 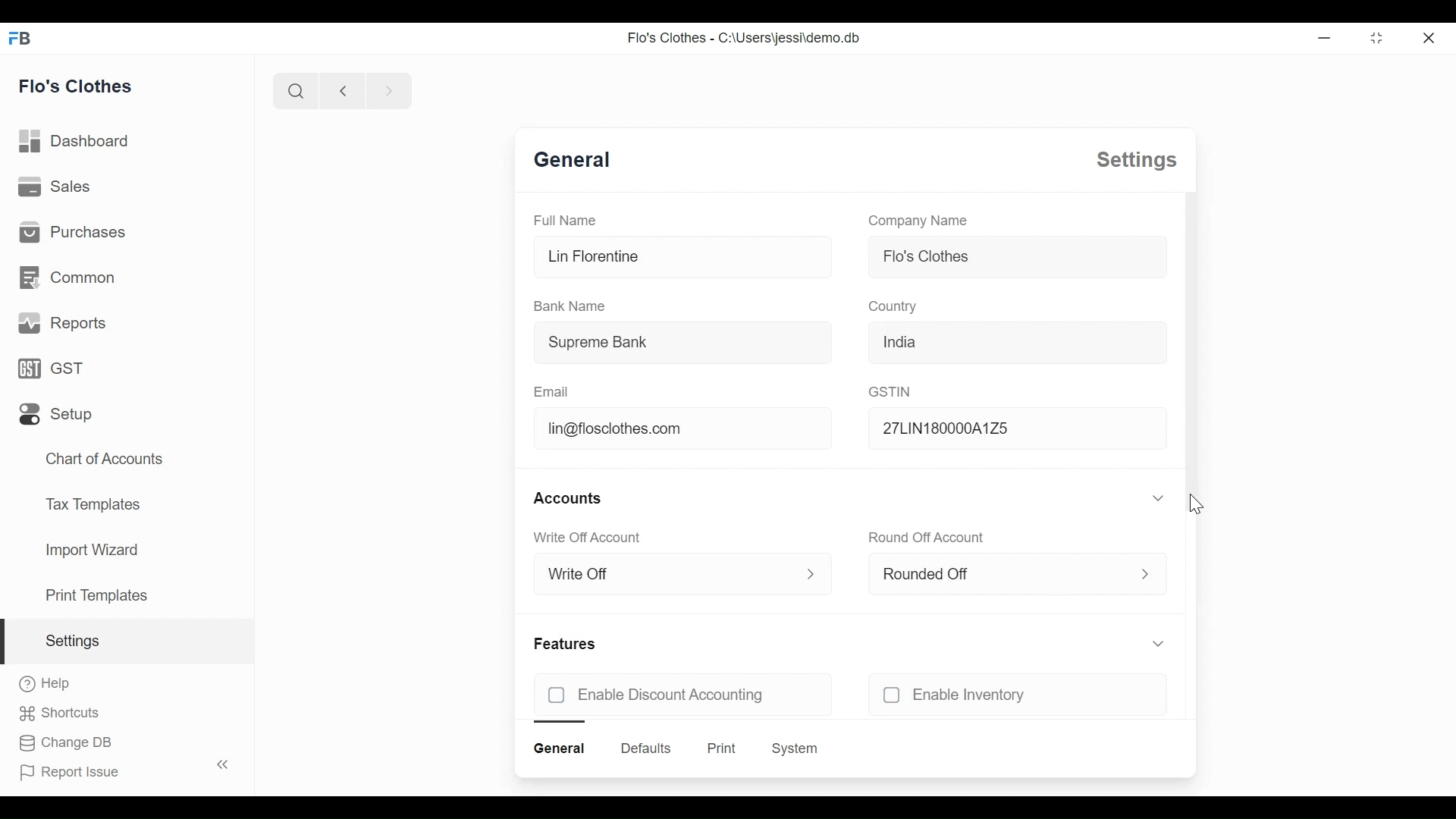 I want to click on Navigate, so click(x=387, y=89).